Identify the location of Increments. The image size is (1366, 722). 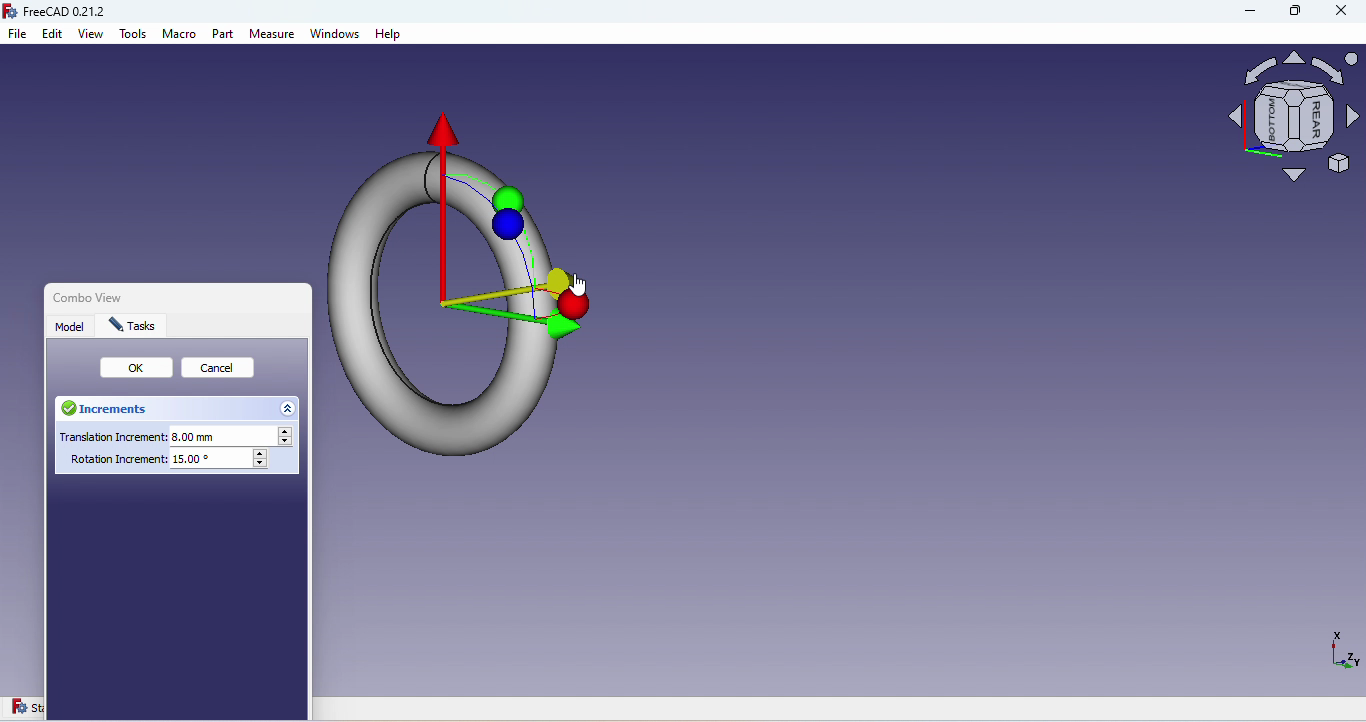
(112, 410).